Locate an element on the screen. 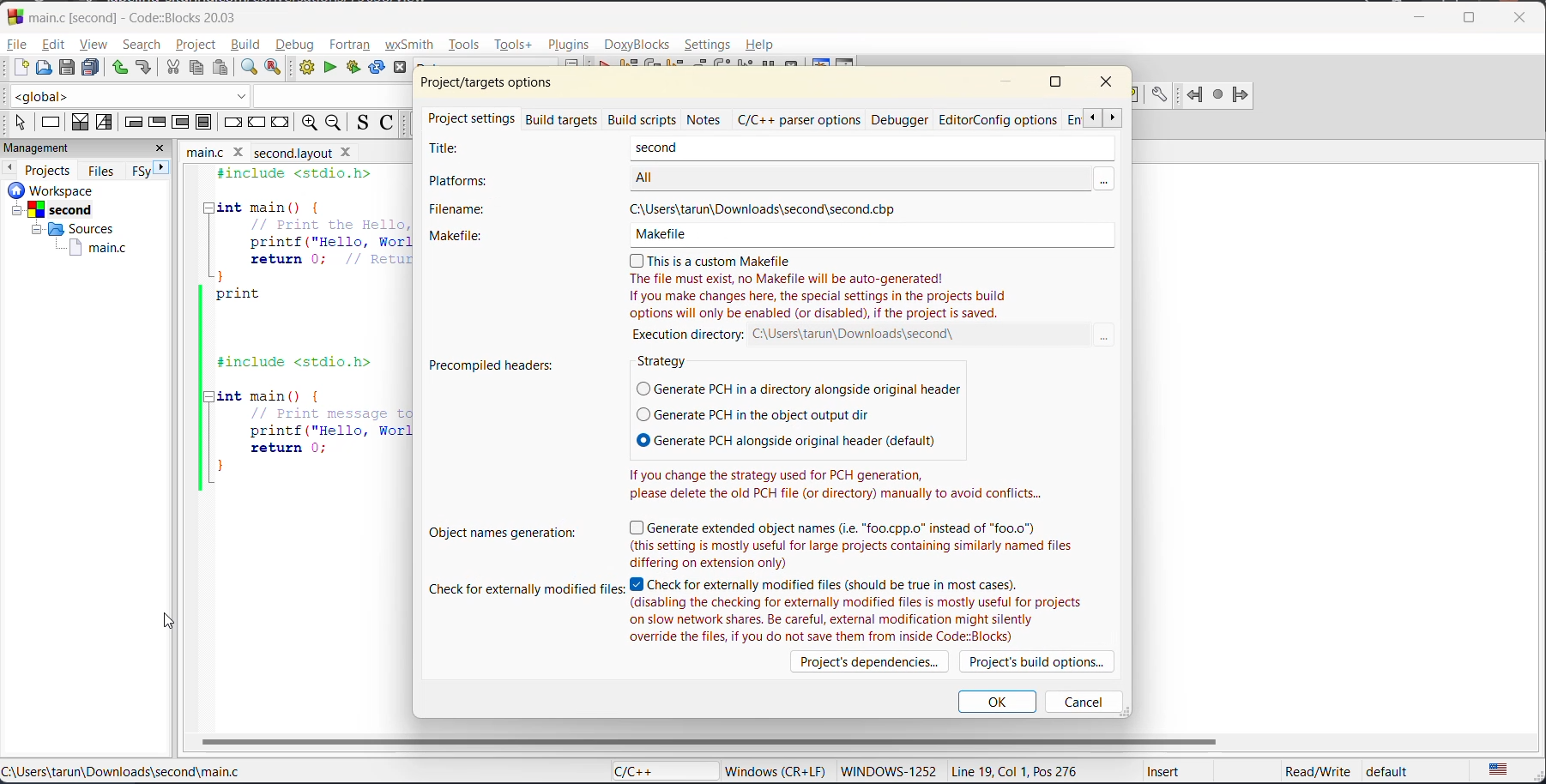 The image size is (1546, 784). rebuild is located at coordinates (377, 67).